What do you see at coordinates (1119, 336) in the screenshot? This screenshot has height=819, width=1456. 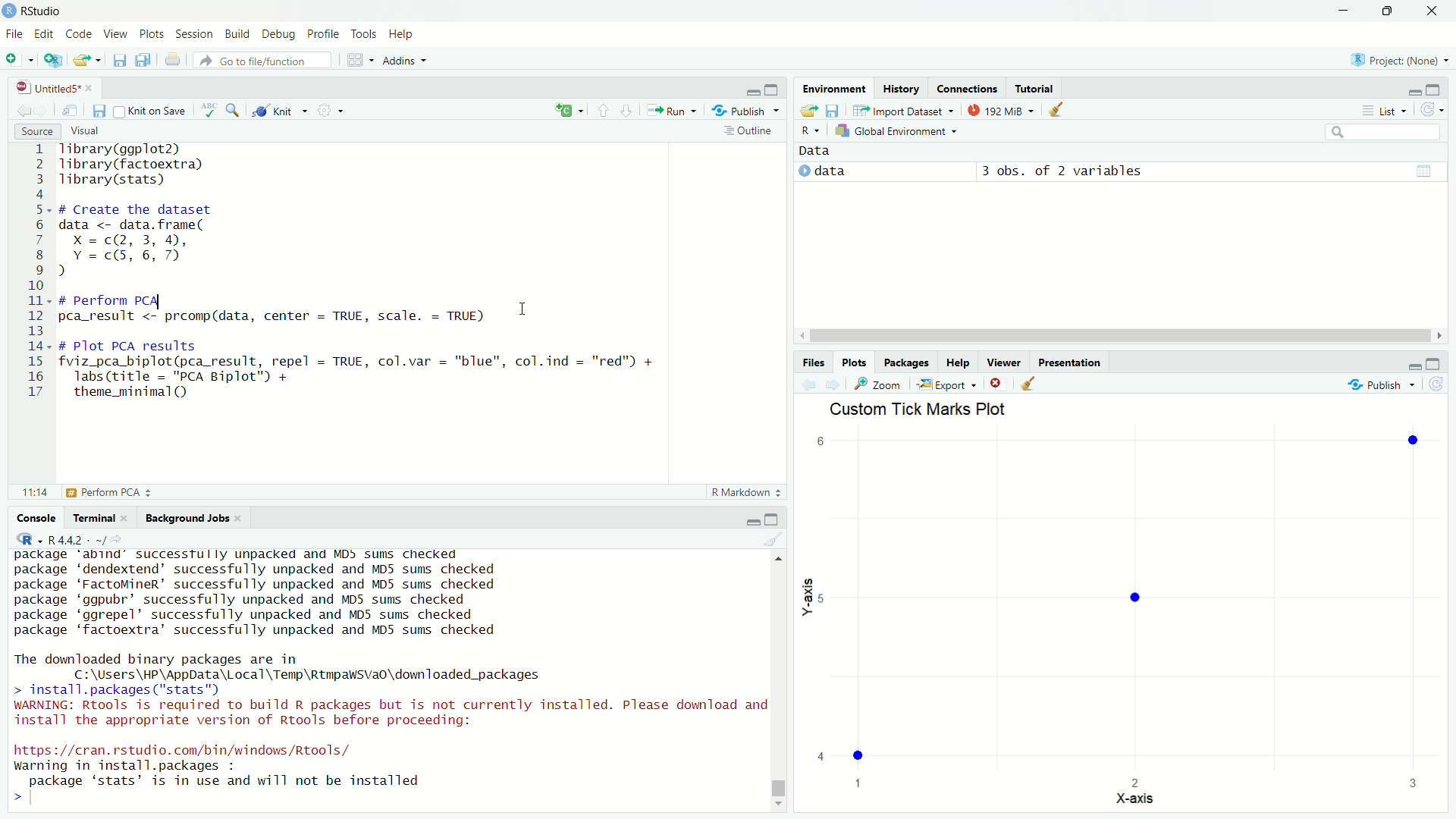 I see `horizontal scrollbar` at bounding box center [1119, 336].